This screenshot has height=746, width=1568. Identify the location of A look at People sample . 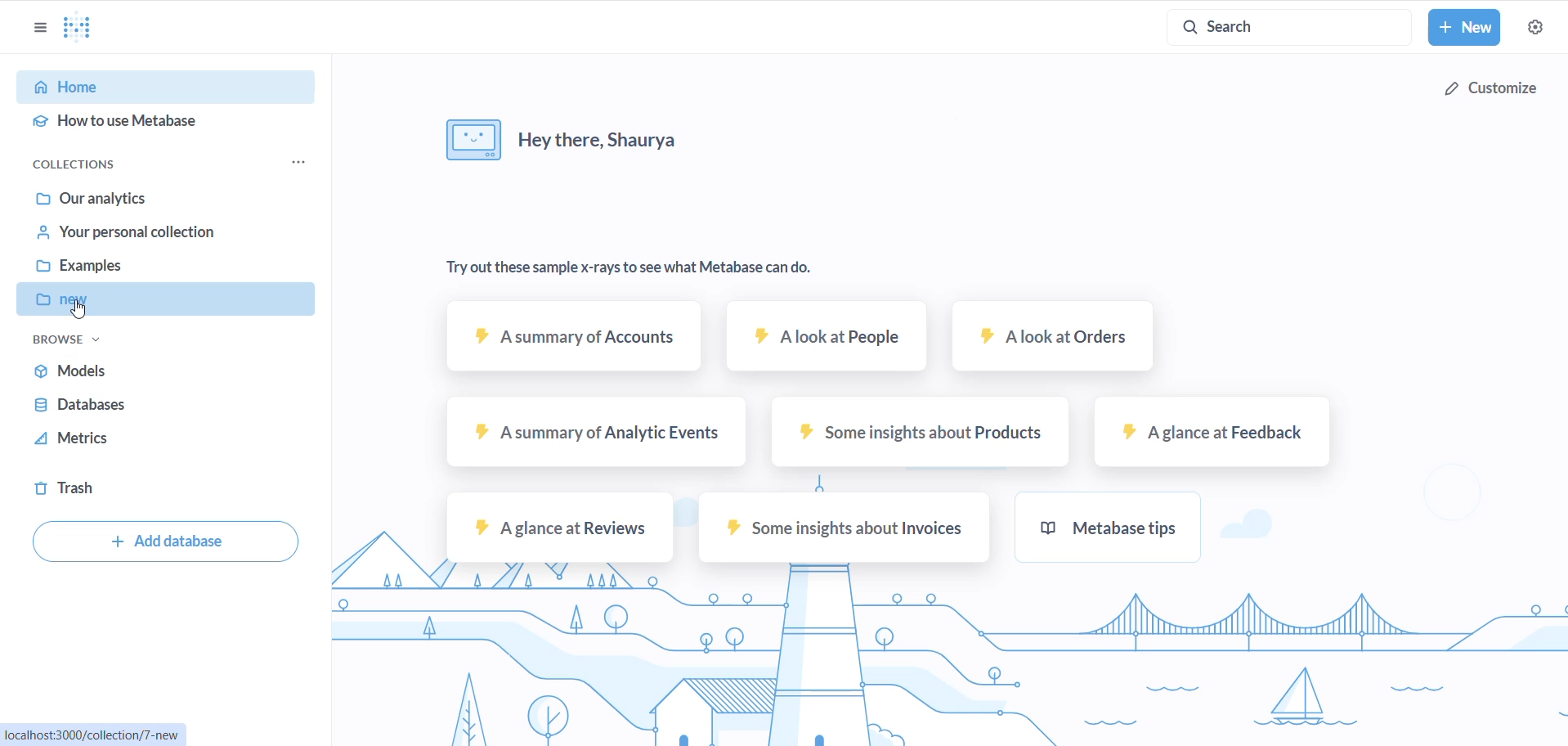
(826, 343).